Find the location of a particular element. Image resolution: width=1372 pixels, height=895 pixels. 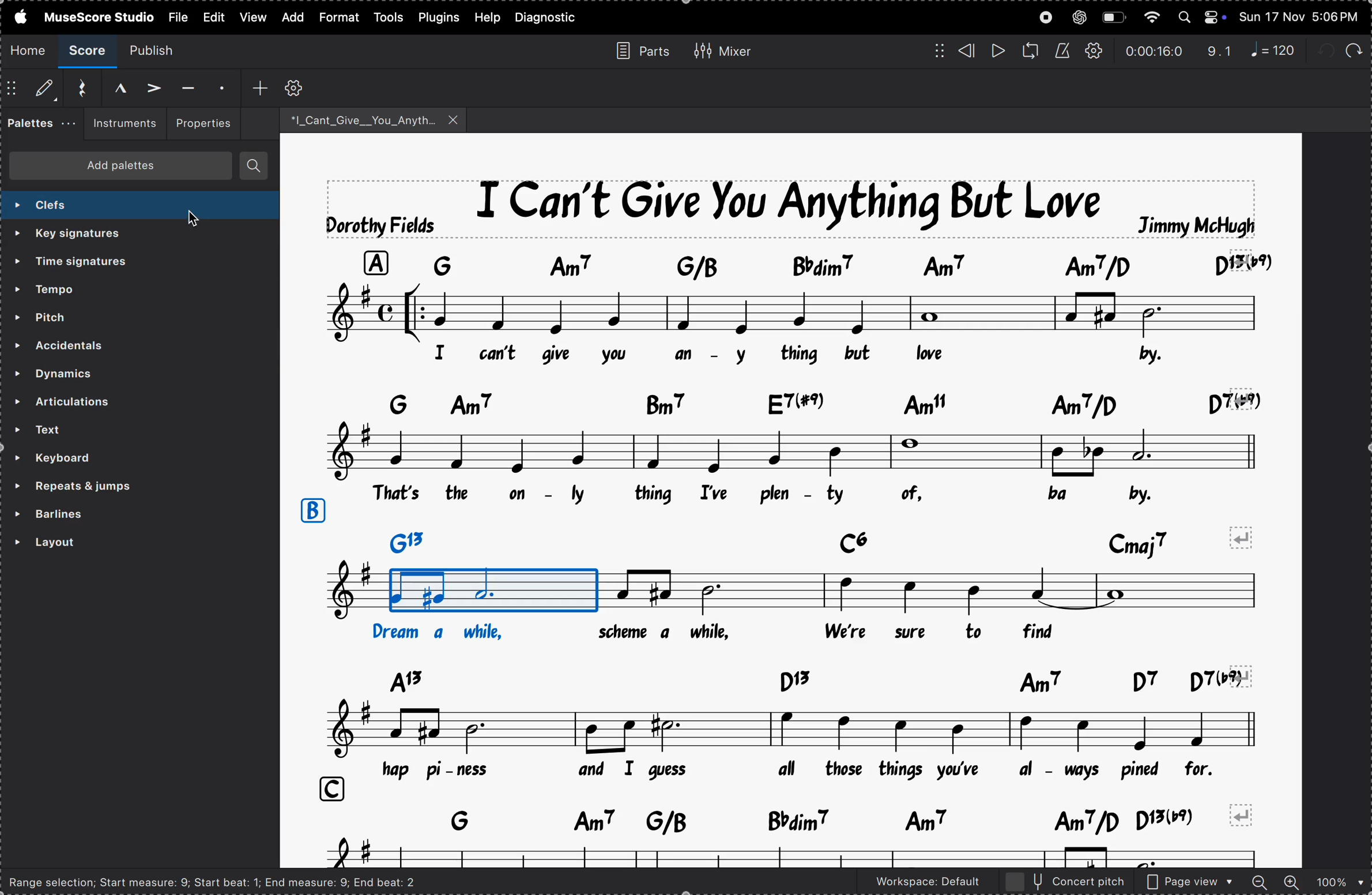

keyboard is located at coordinates (87, 458).